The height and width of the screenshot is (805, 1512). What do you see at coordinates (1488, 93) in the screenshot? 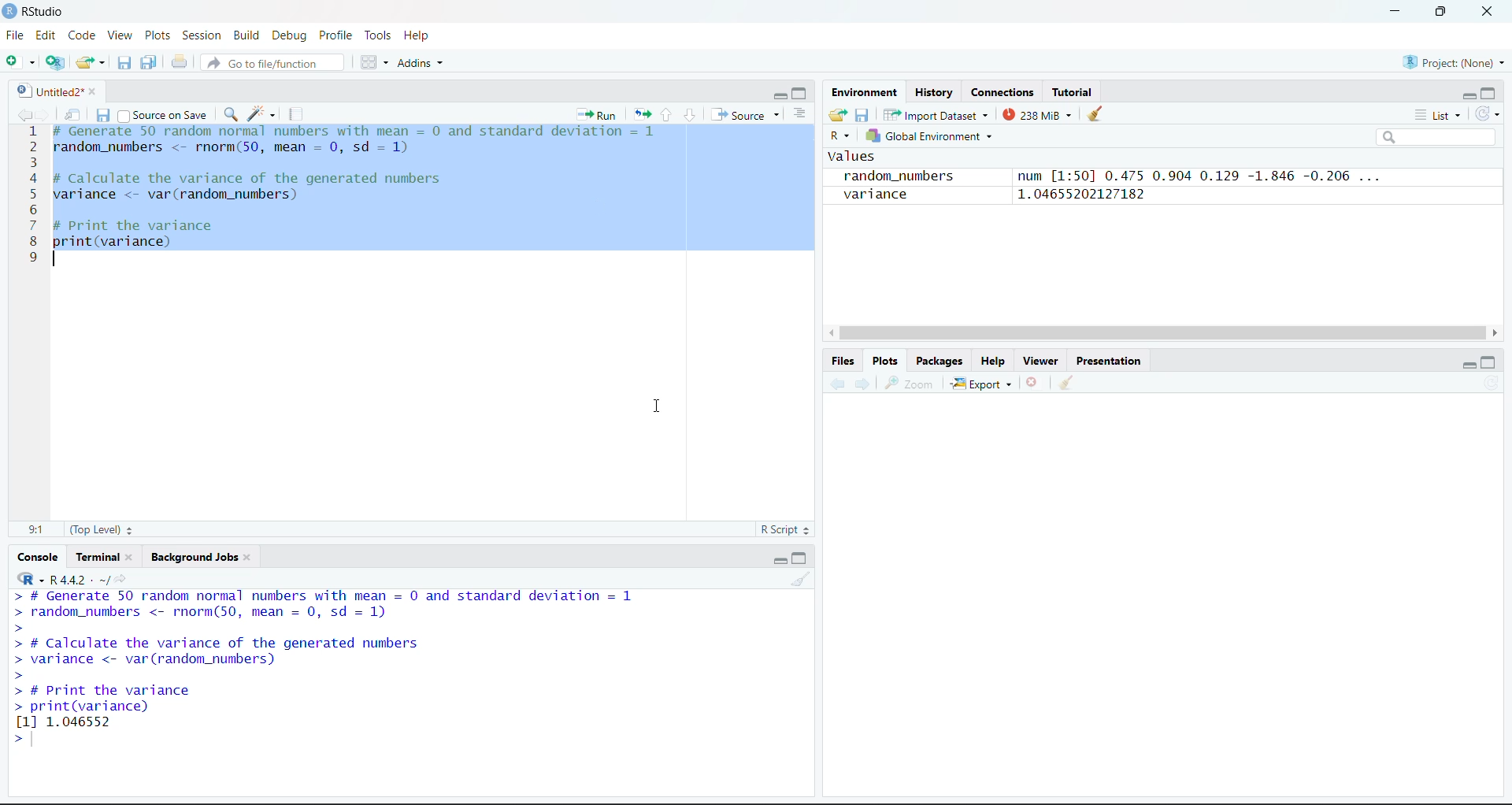
I see `maximize` at bounding box center [1488, 93].